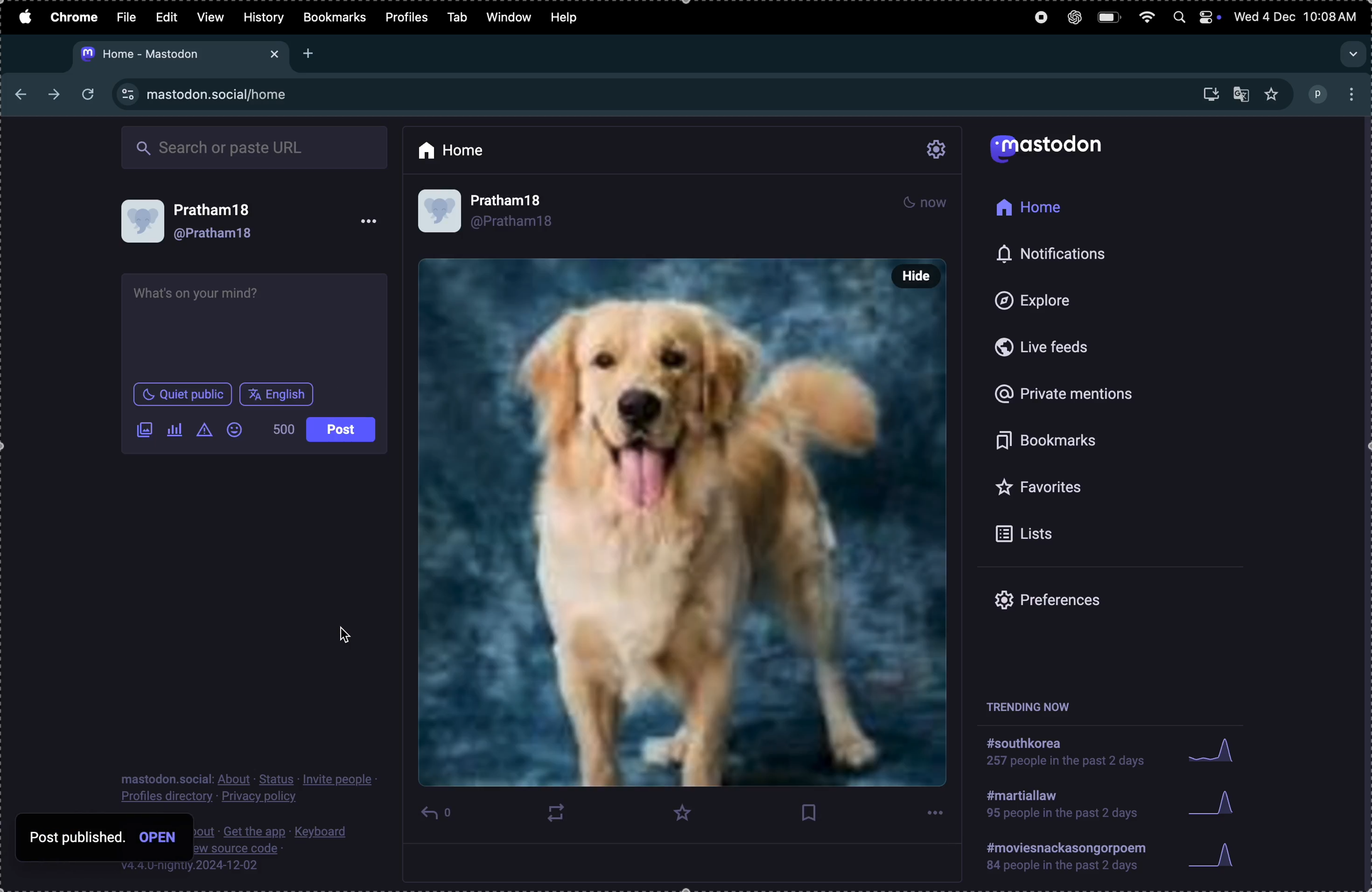 The width and height of the screenshot is (1372, 892). I want to click on Filw, so click(126, 16).